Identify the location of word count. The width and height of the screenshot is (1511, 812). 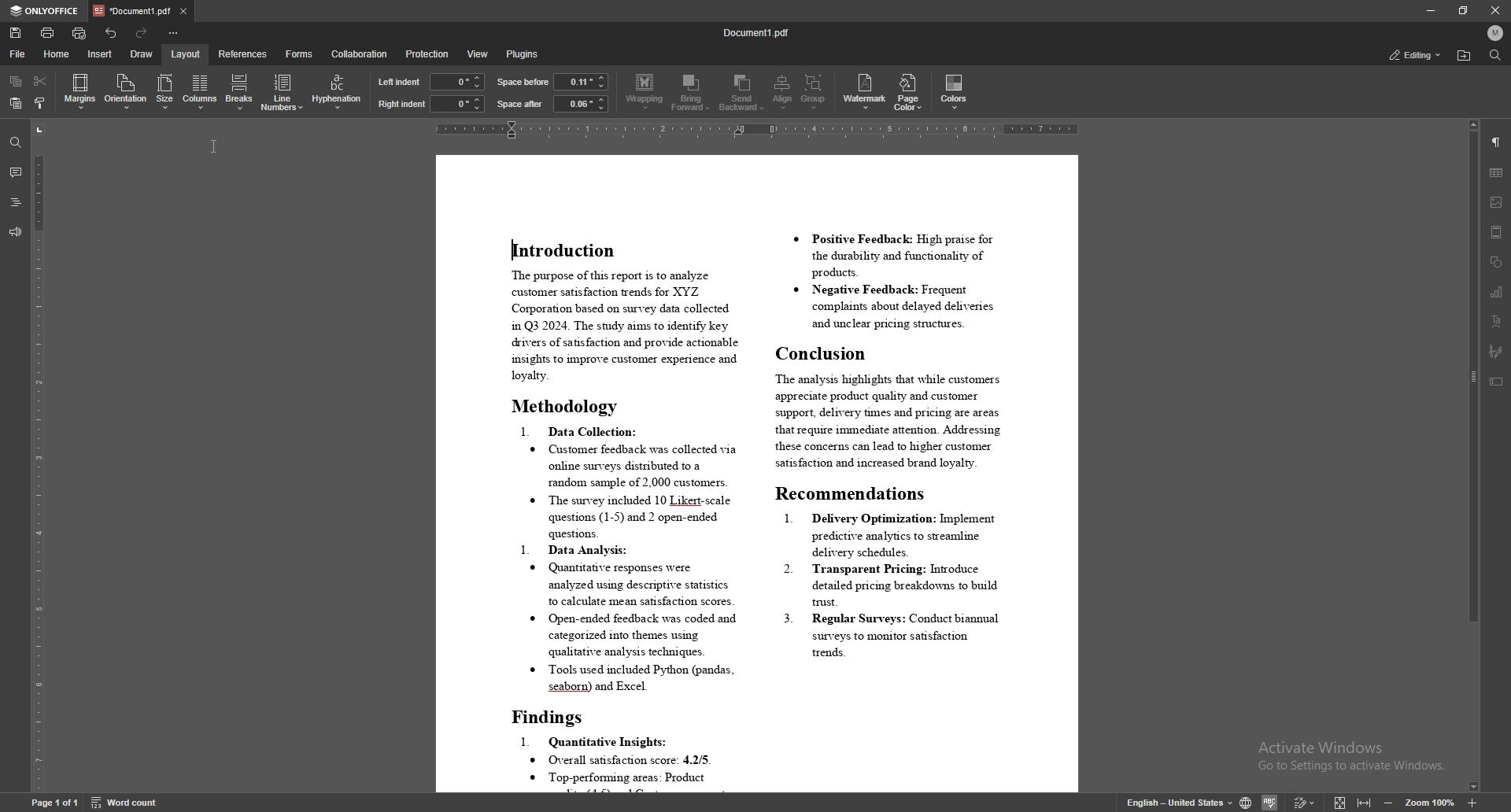
(124, 802).